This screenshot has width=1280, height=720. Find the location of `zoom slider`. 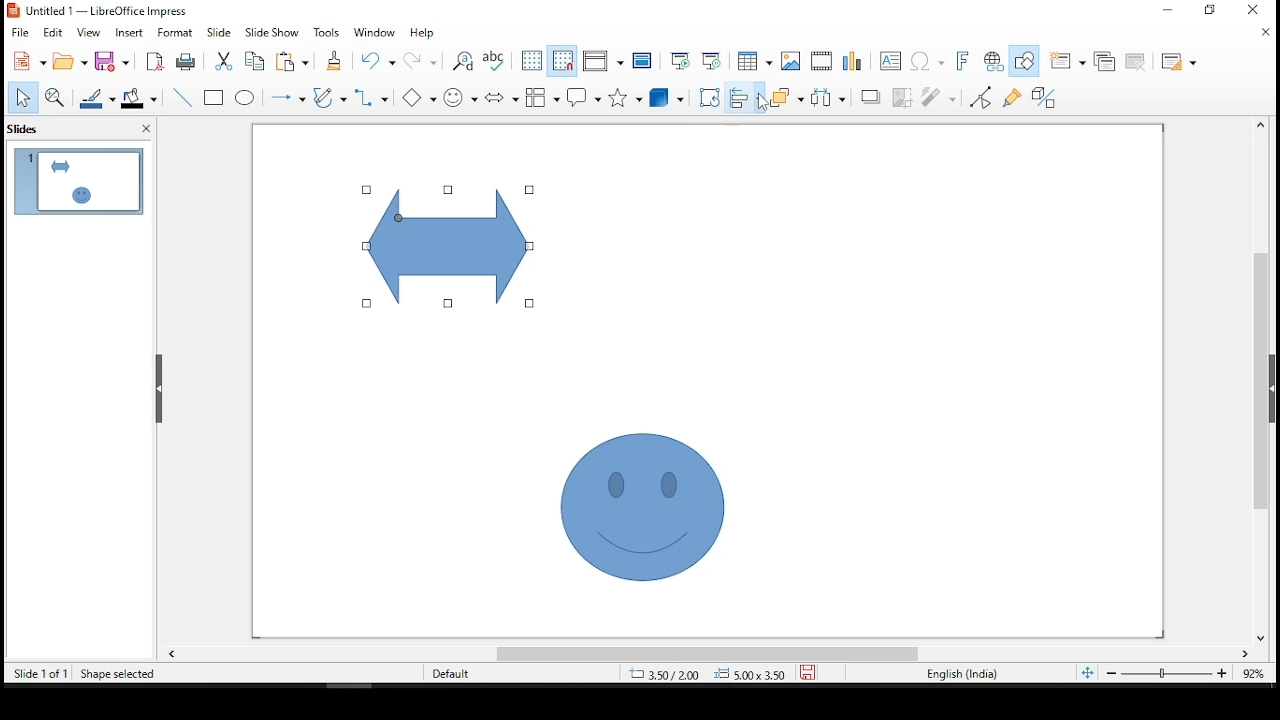

zoom slider is located at coordinates (1167, 673).